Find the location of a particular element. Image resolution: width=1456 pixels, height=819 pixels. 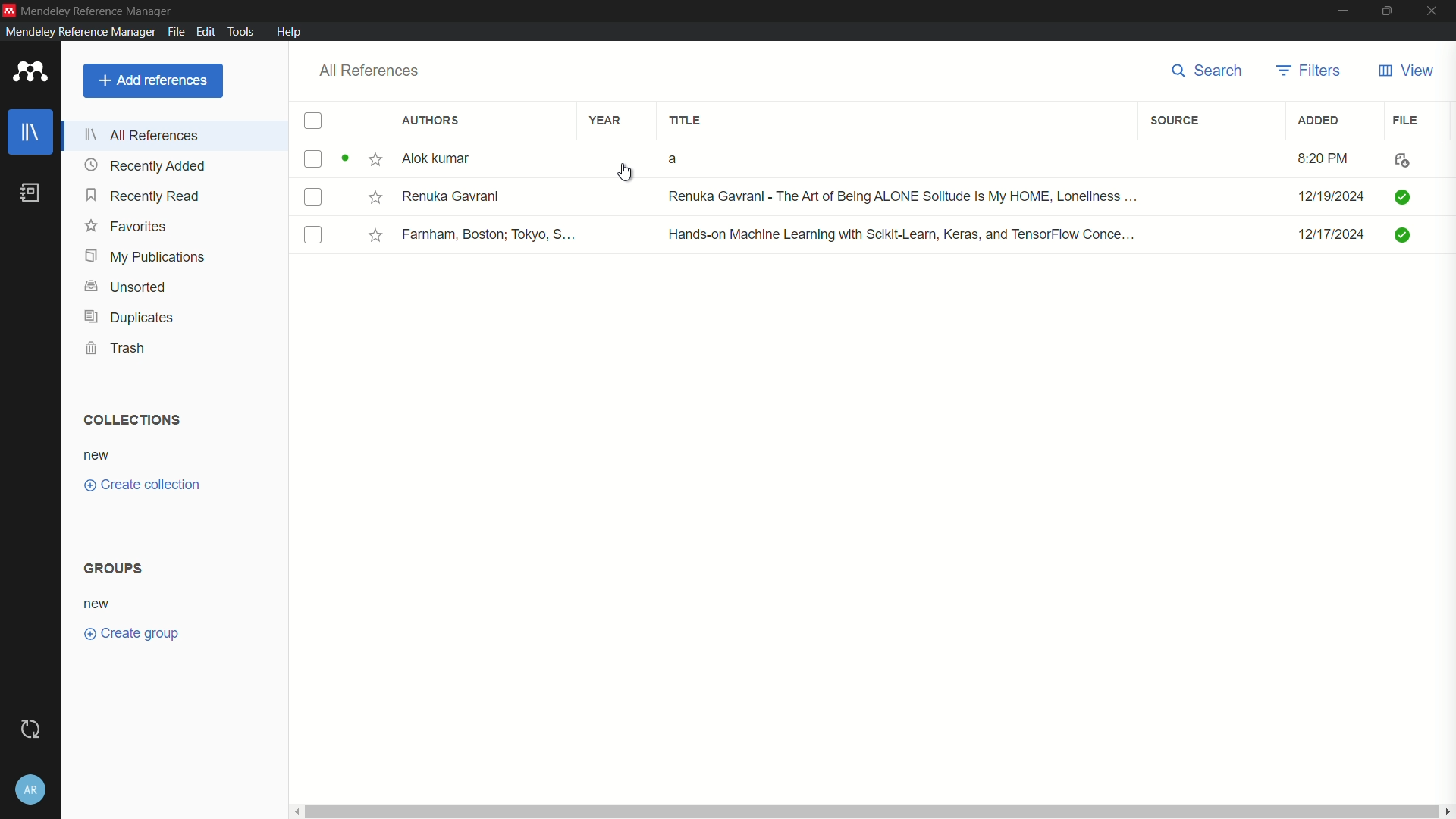

app icon is located at coordinates (9, 10).